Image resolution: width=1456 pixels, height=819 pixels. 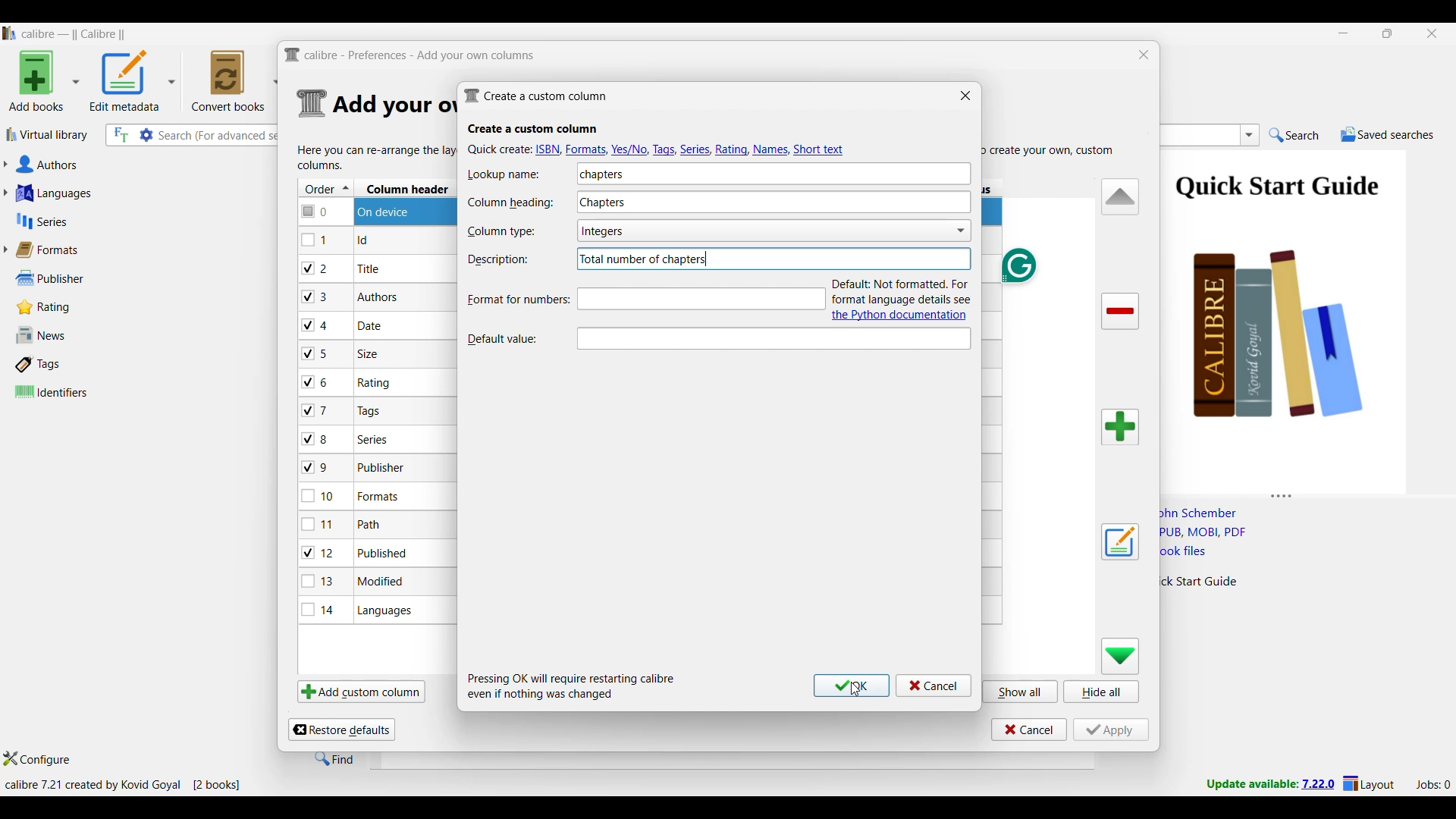 What do you see at coordinates (45, 80) in the screenshot?
I see `Add book options` at bounding box center [45, 80].